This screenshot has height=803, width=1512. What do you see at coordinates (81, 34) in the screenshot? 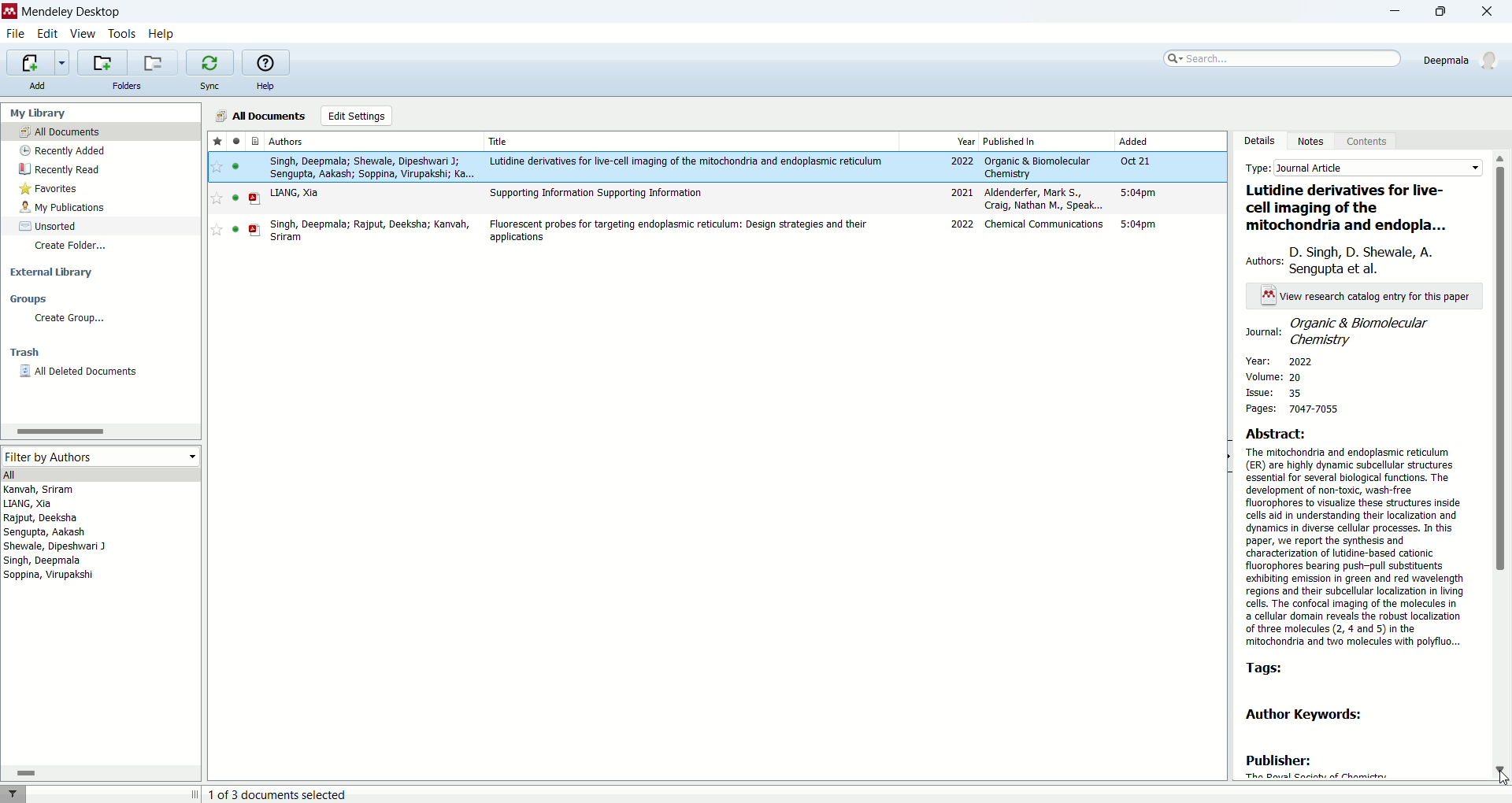
I see `view` at bounding box center [81, 34].